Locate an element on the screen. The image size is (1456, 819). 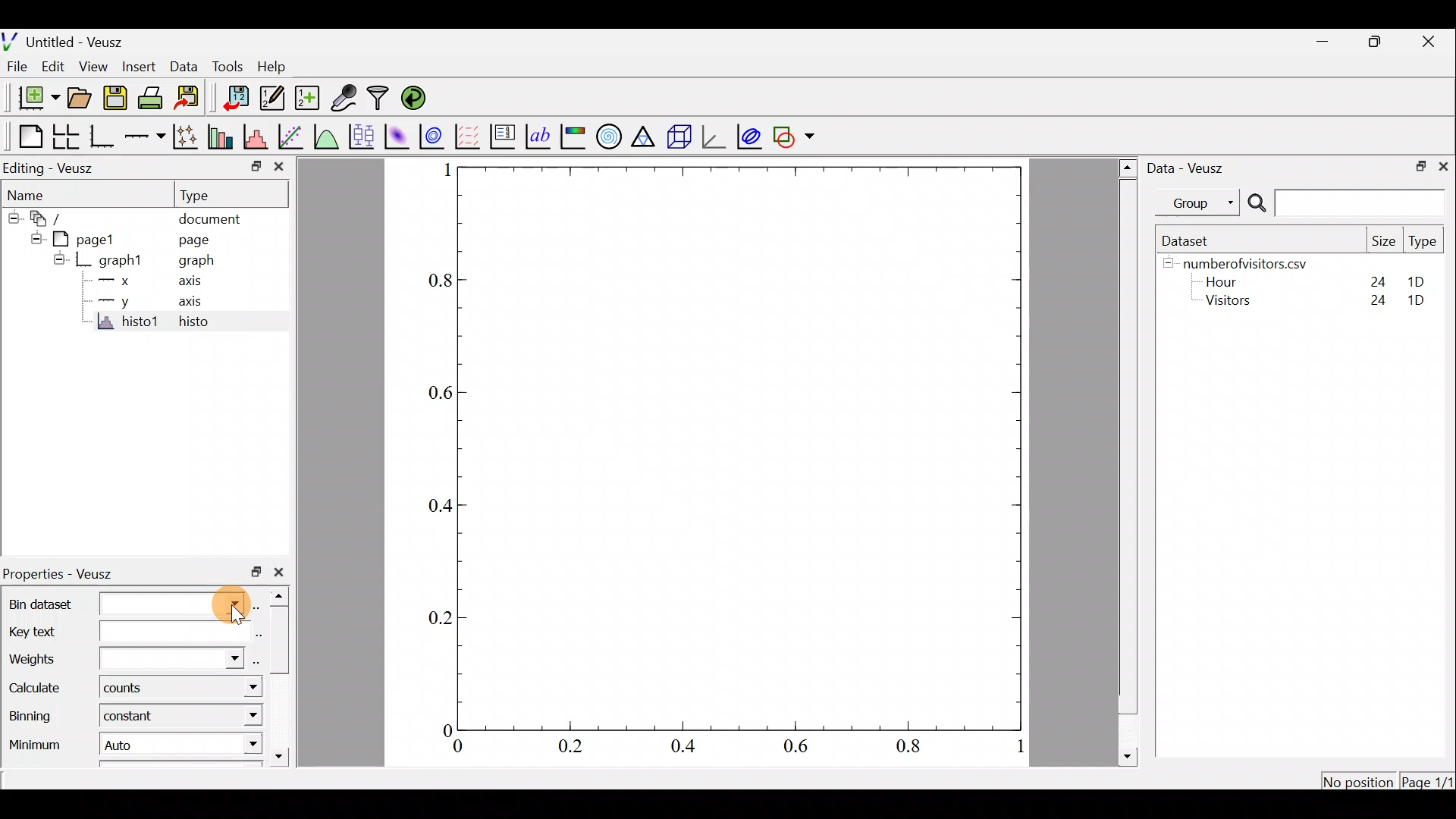
Export to graphics format is located at coordinates (193, 99).